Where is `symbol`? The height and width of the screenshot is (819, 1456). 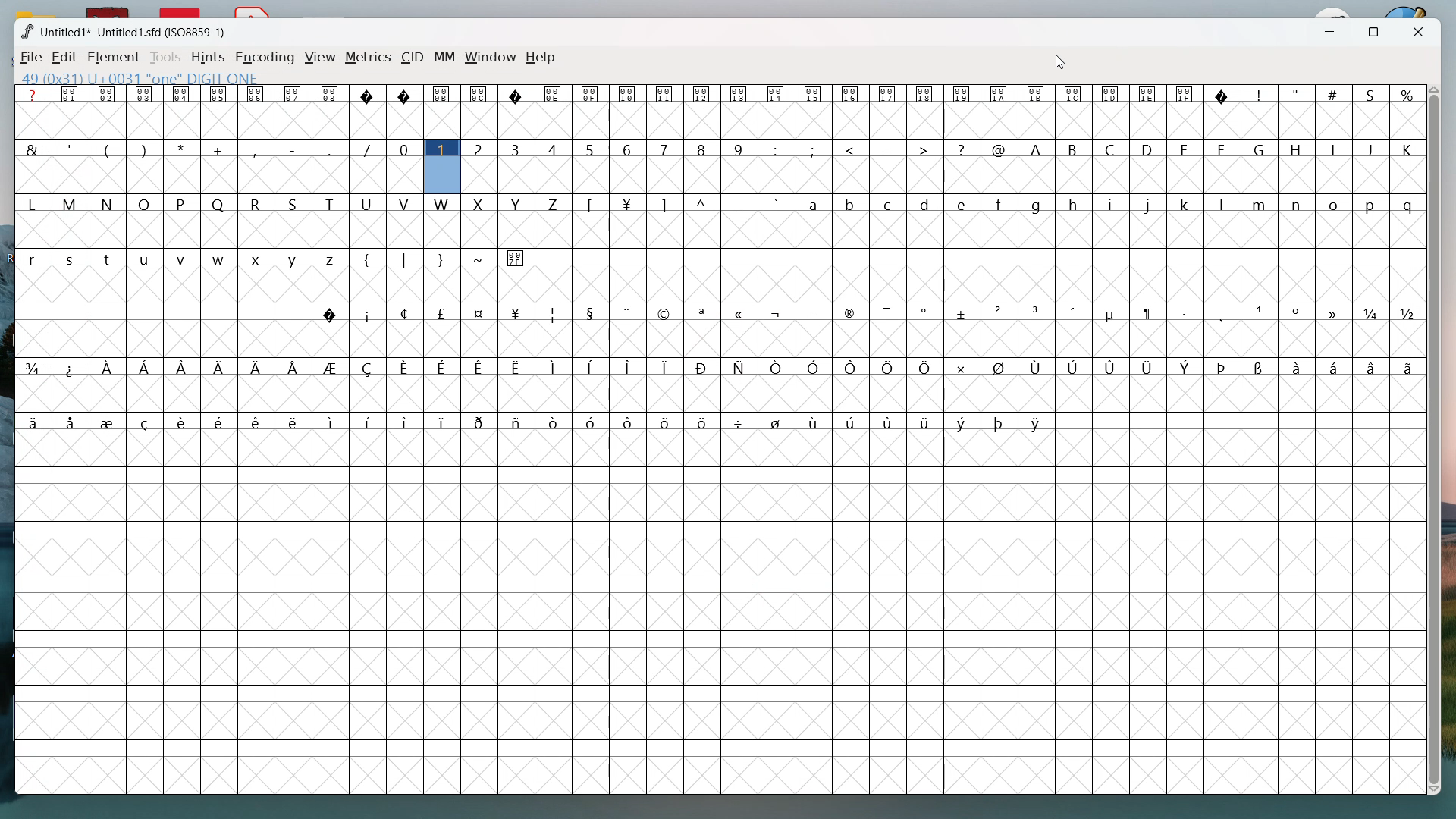 symbol is located at coordinates (667, 424).